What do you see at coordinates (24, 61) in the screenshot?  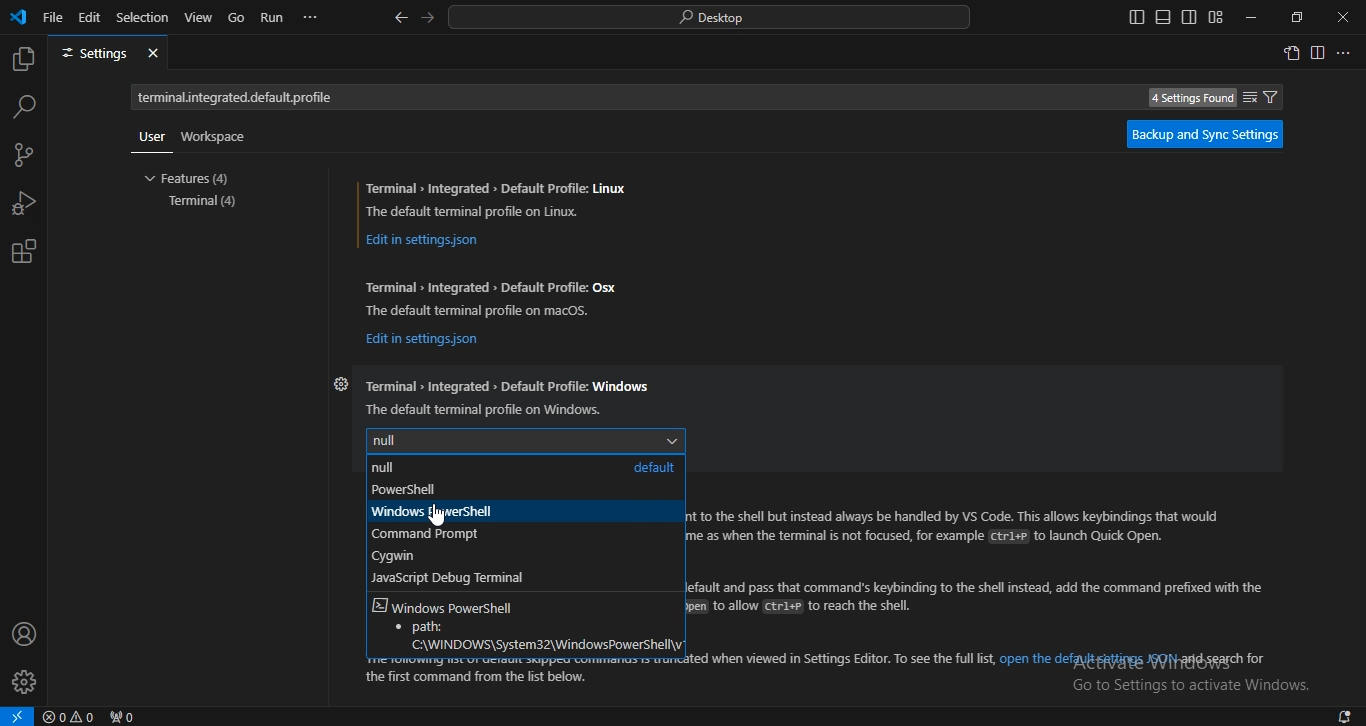 I see `explorer` at bounding box center [24, 61].